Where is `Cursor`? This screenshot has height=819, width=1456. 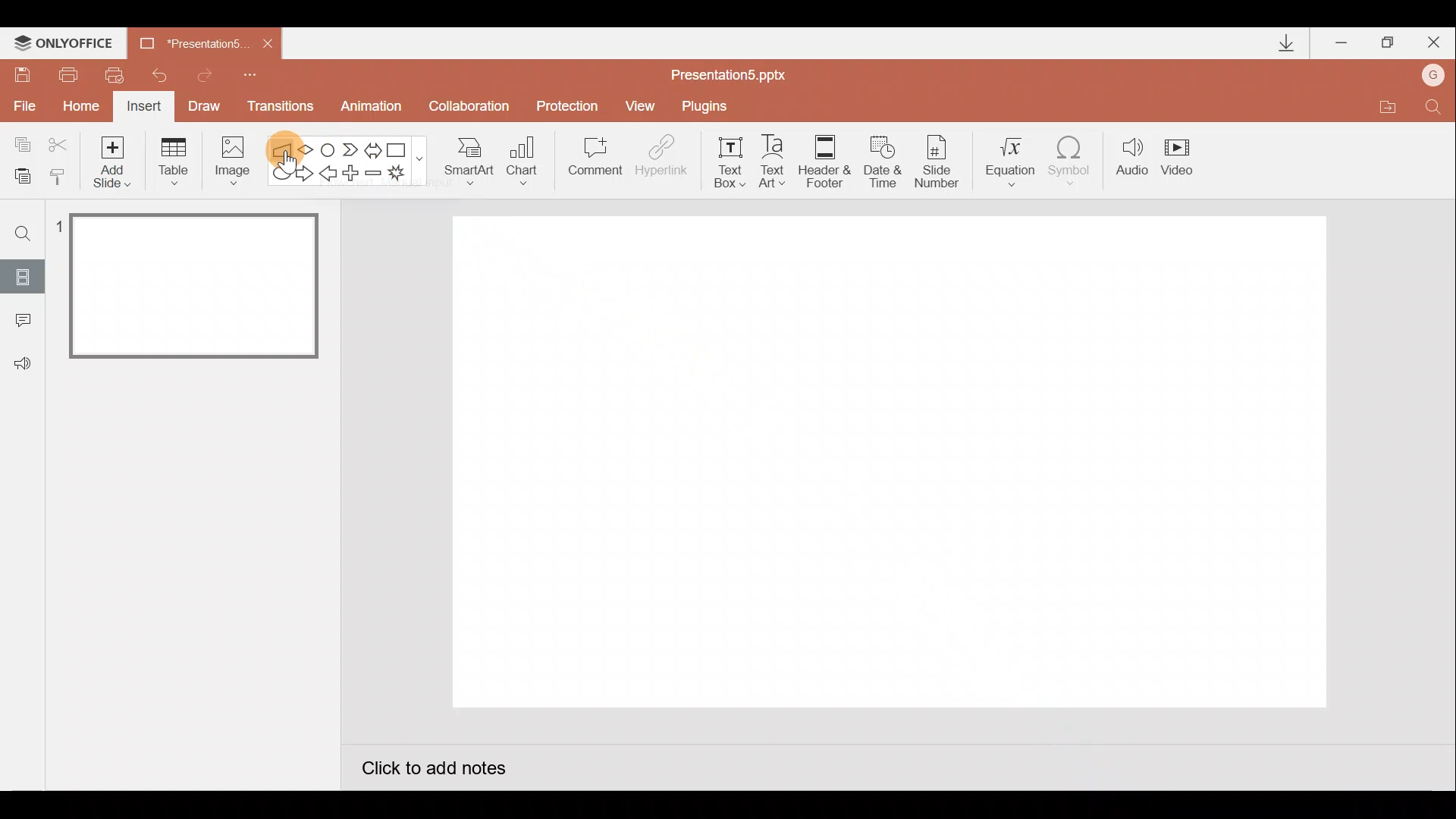
Cursor is located at coordinates (287, 158).